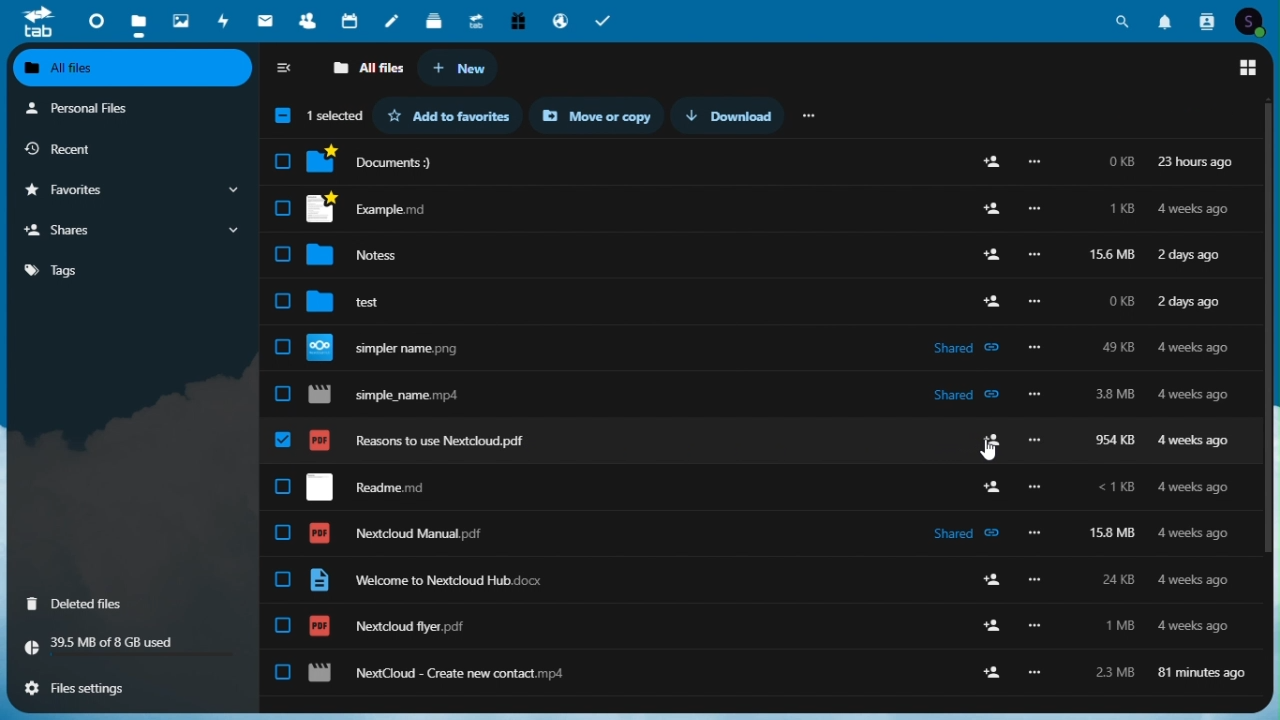 The height and width of the screenshot is (720, 1280). I want to click on checkbox, so click(283, 626).